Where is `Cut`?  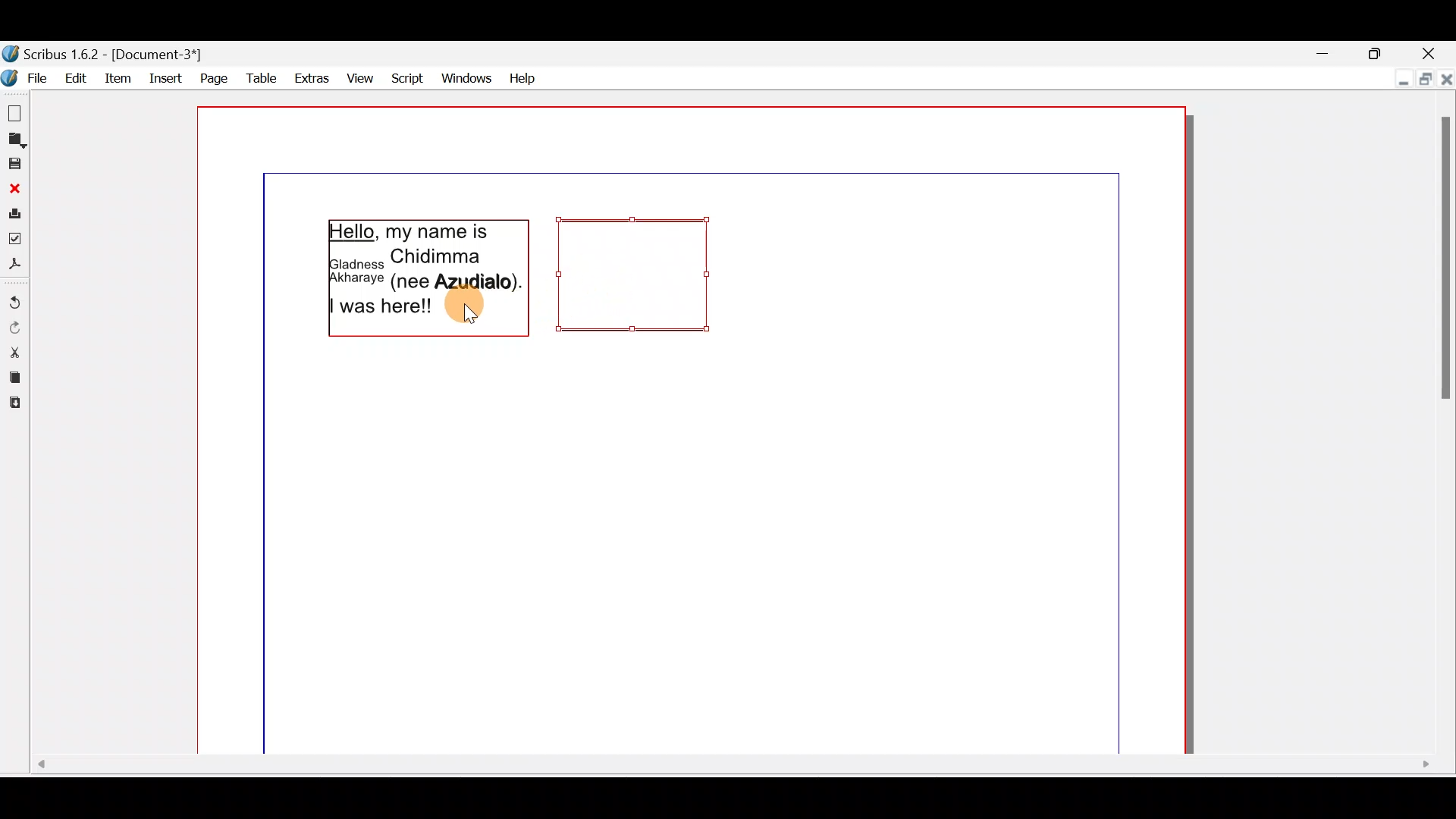 Cut is located at coordinates (15, 352).